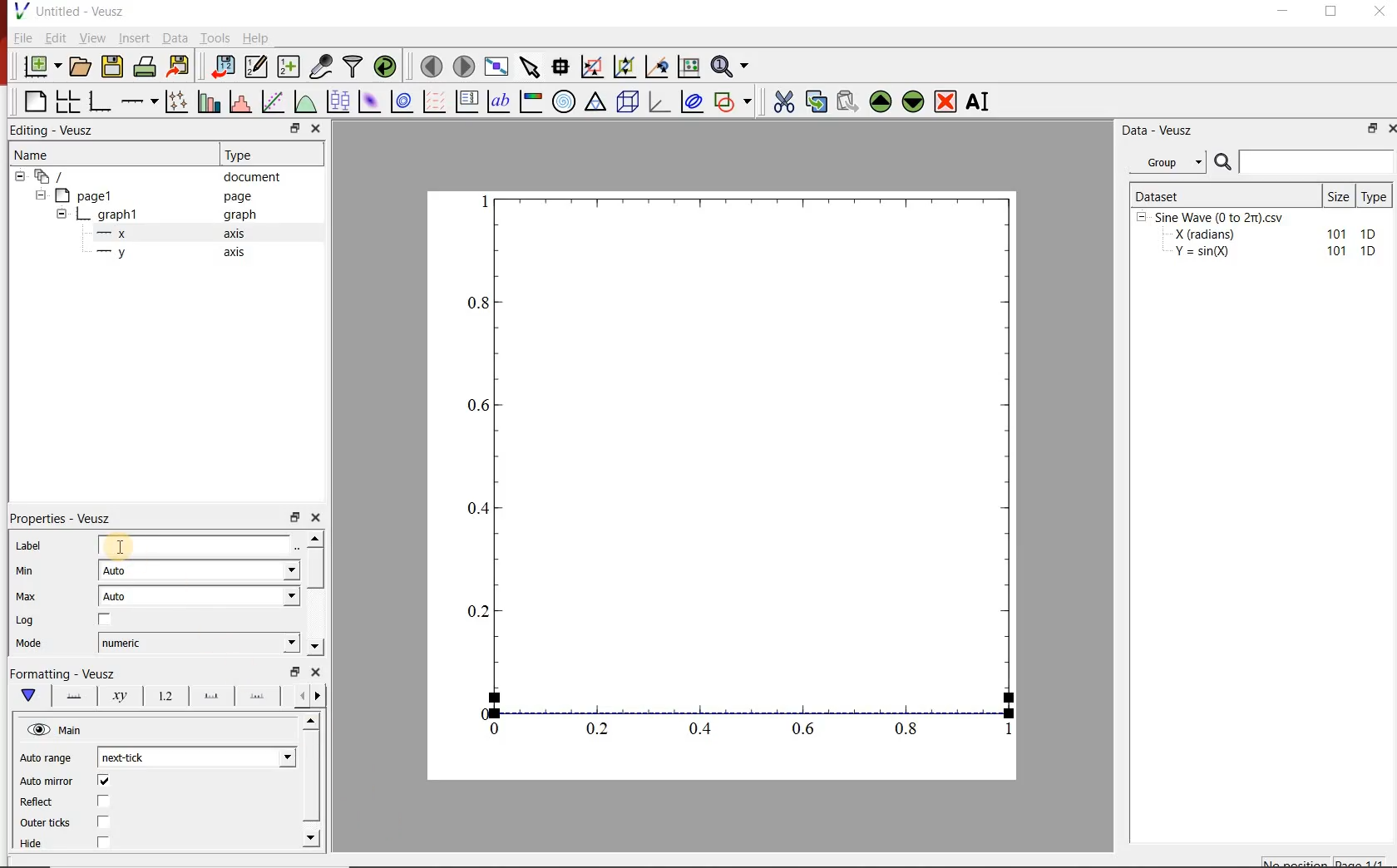  What do you see at coordinates (255, 38) in the screenshot?
I see `Help` at bounding box center [255, 38].